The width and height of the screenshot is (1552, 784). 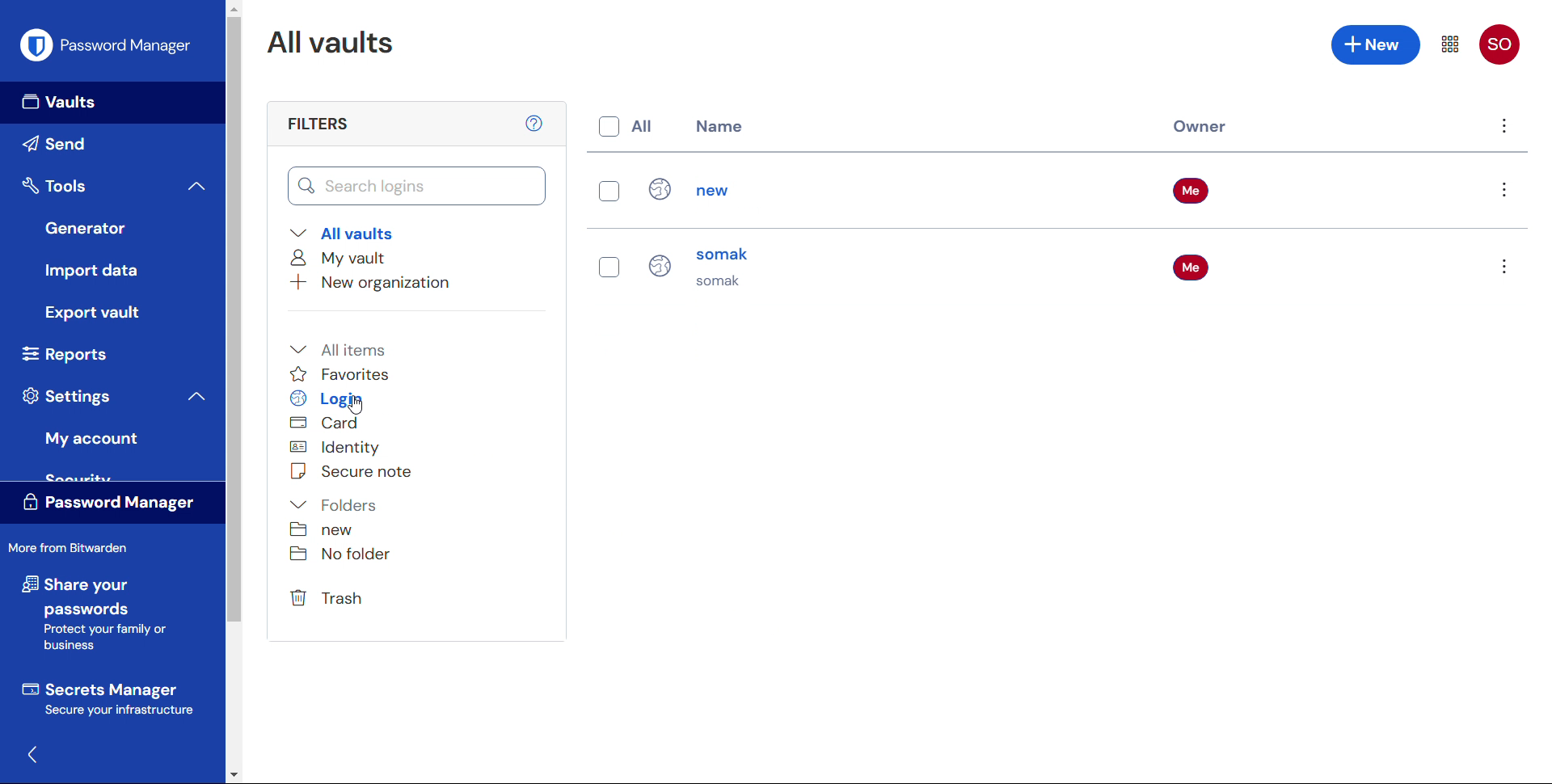 What do you see at coordinates (415, 186) in the screenshot?
I see `Search vault ` at bounding box center [415, 186].